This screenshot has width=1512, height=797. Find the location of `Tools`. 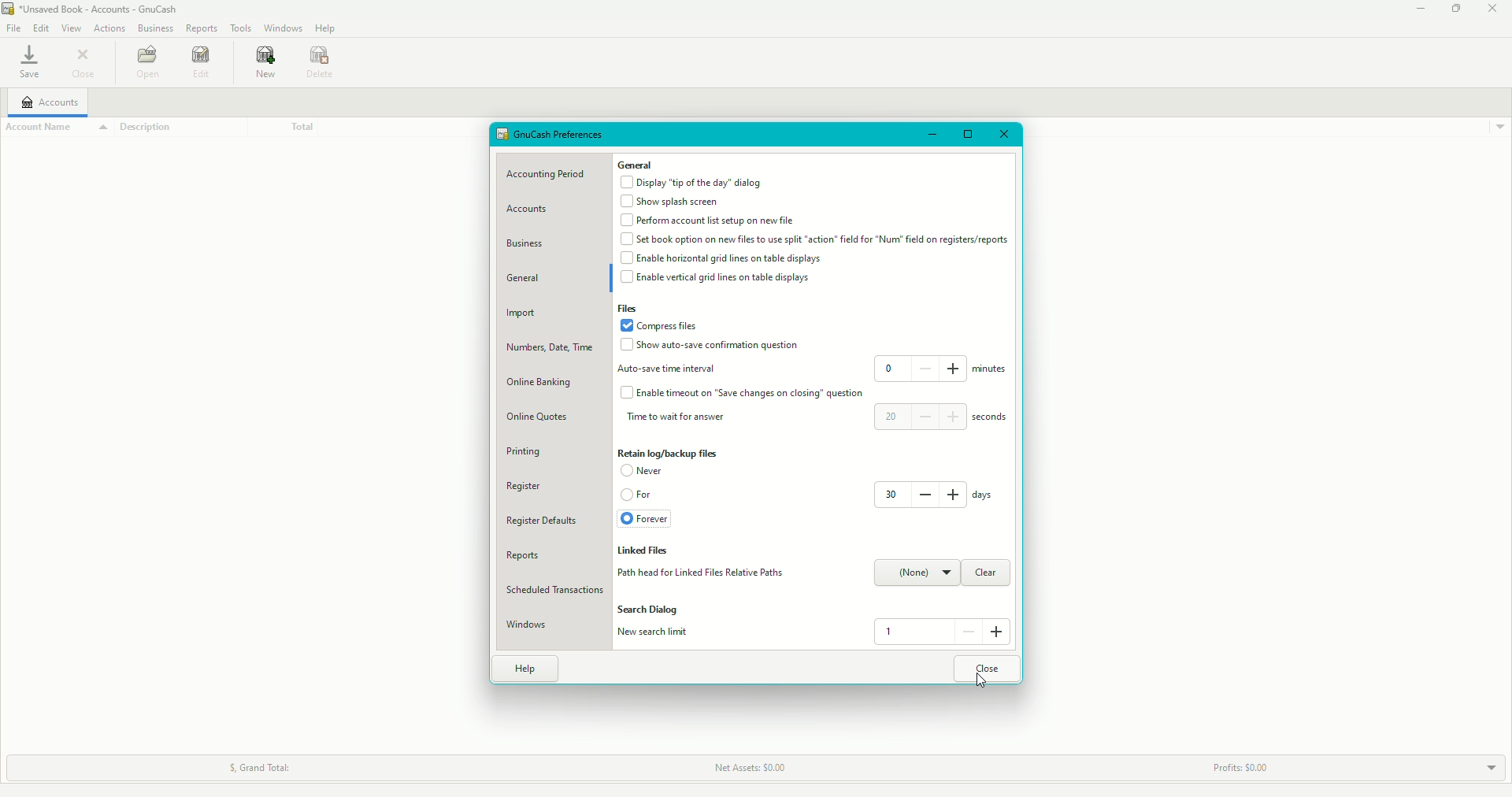

Tools is located at coordinates (243, 27).